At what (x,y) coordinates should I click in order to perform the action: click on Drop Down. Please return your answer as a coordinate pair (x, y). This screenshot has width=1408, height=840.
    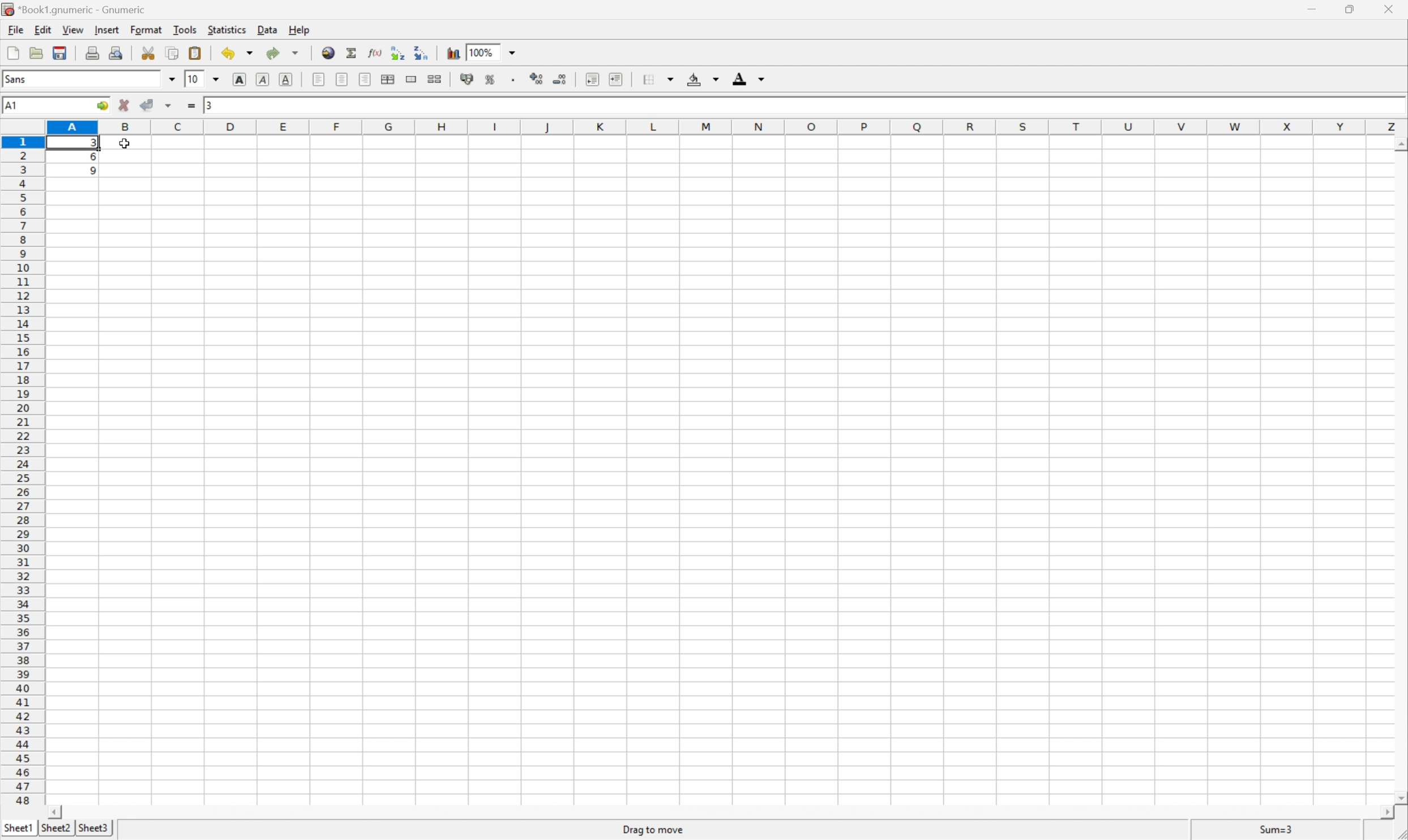
    Looking at the image, I should click on (515, 52).